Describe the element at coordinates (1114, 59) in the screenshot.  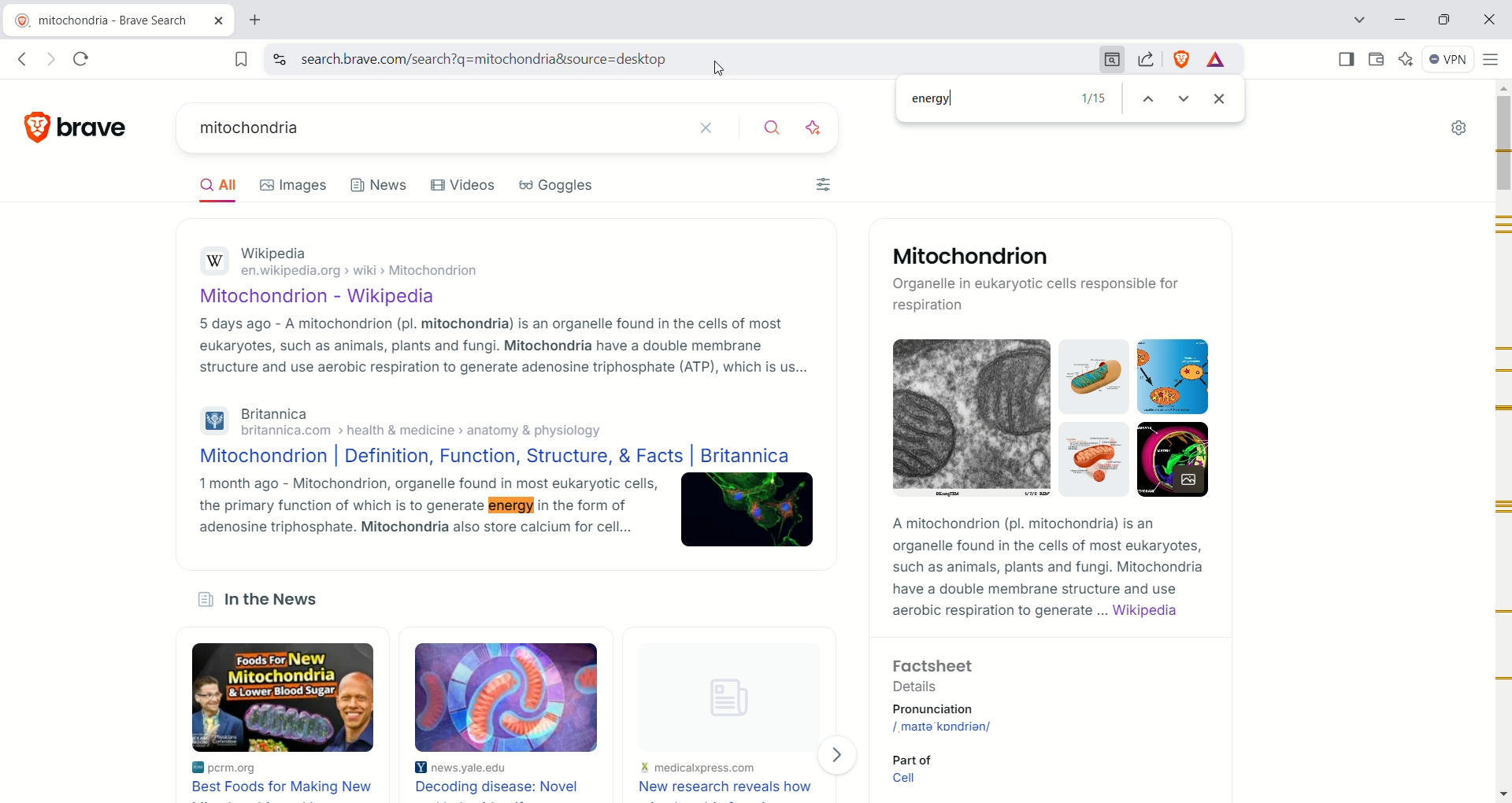
I see `find` at that location.